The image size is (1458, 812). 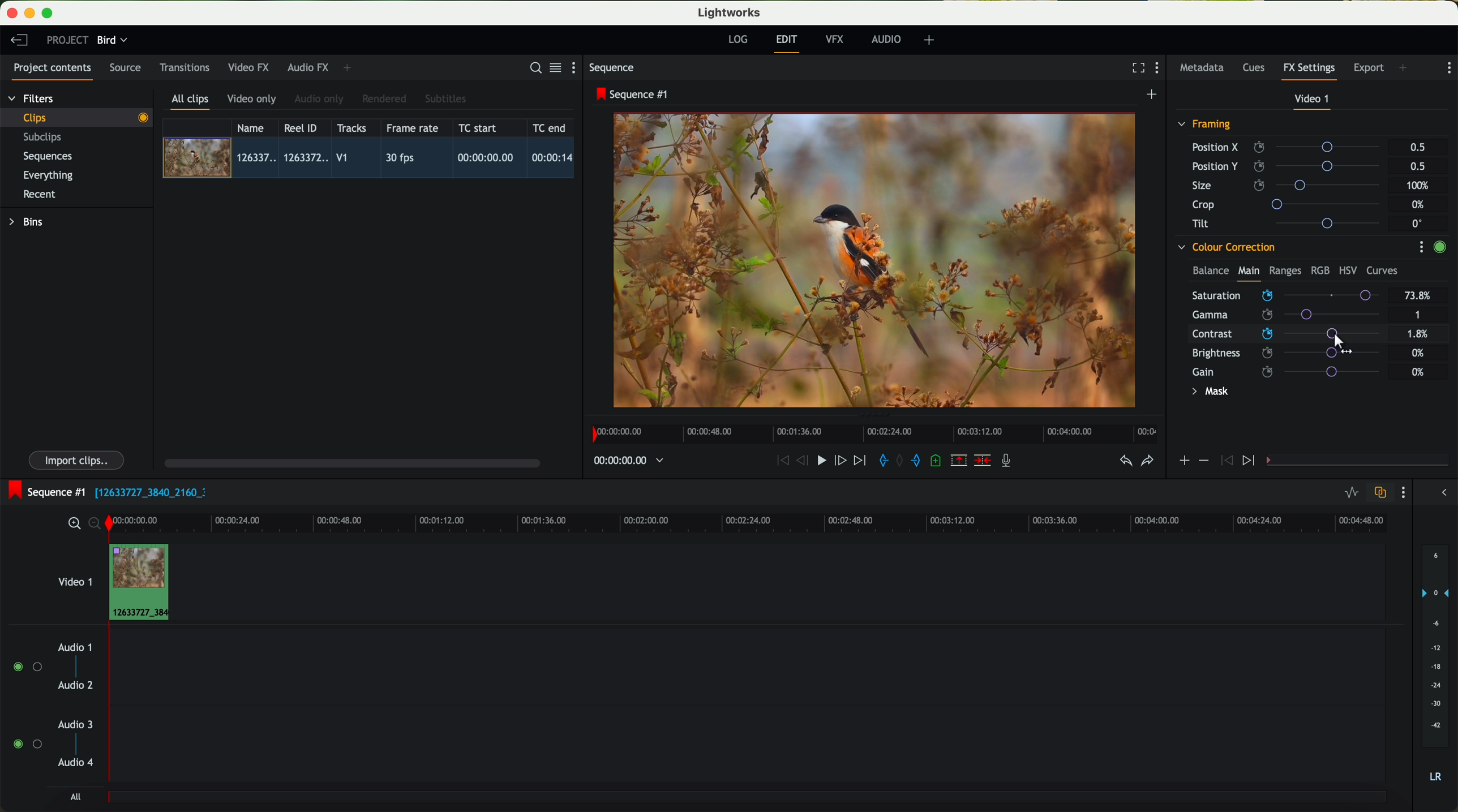 What do you see at coordinates (612, 68) in the screenshot?
I see `sequence` at bounding box center [612, 68].